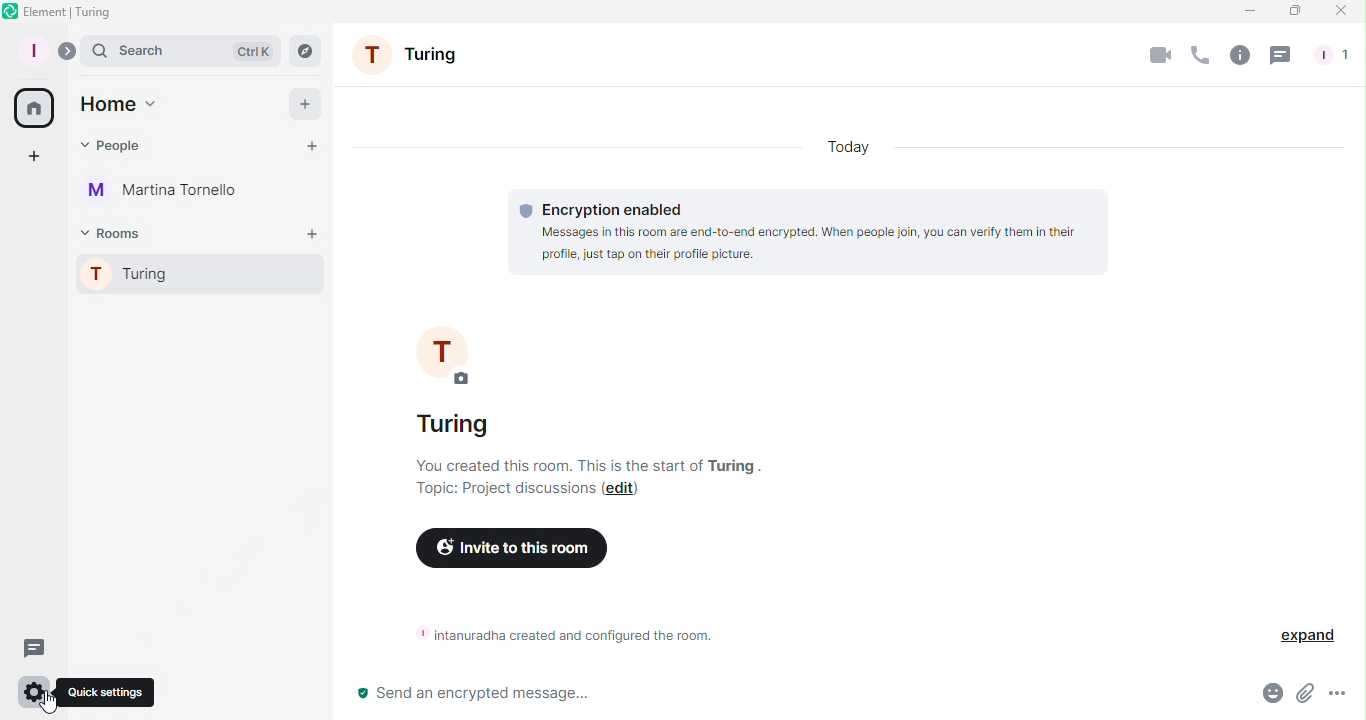 This screenshot has height=720, width=1366. I want to click on Encryption information, so click(815, 230).